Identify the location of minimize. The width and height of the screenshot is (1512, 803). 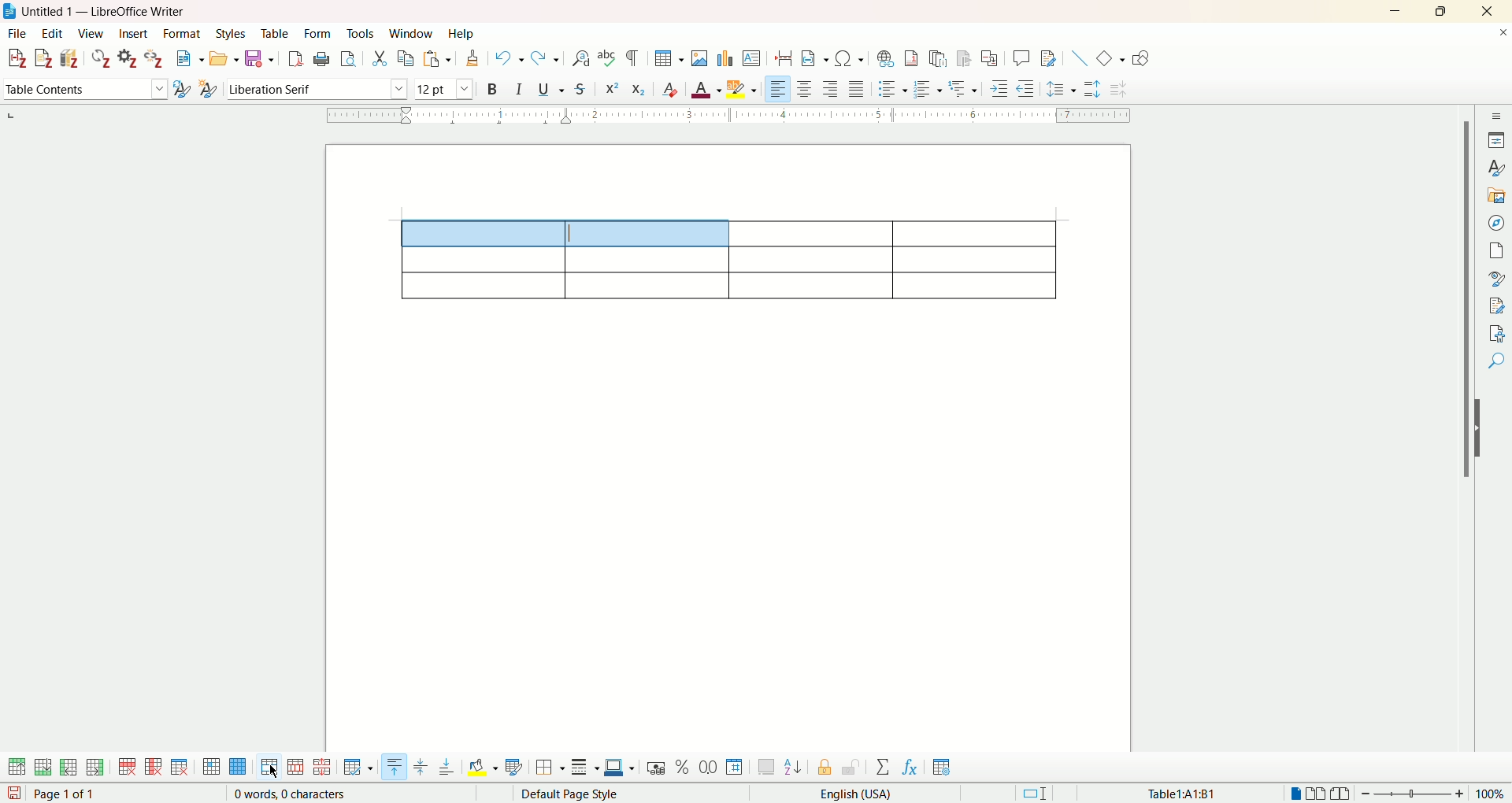
(1389, 13).